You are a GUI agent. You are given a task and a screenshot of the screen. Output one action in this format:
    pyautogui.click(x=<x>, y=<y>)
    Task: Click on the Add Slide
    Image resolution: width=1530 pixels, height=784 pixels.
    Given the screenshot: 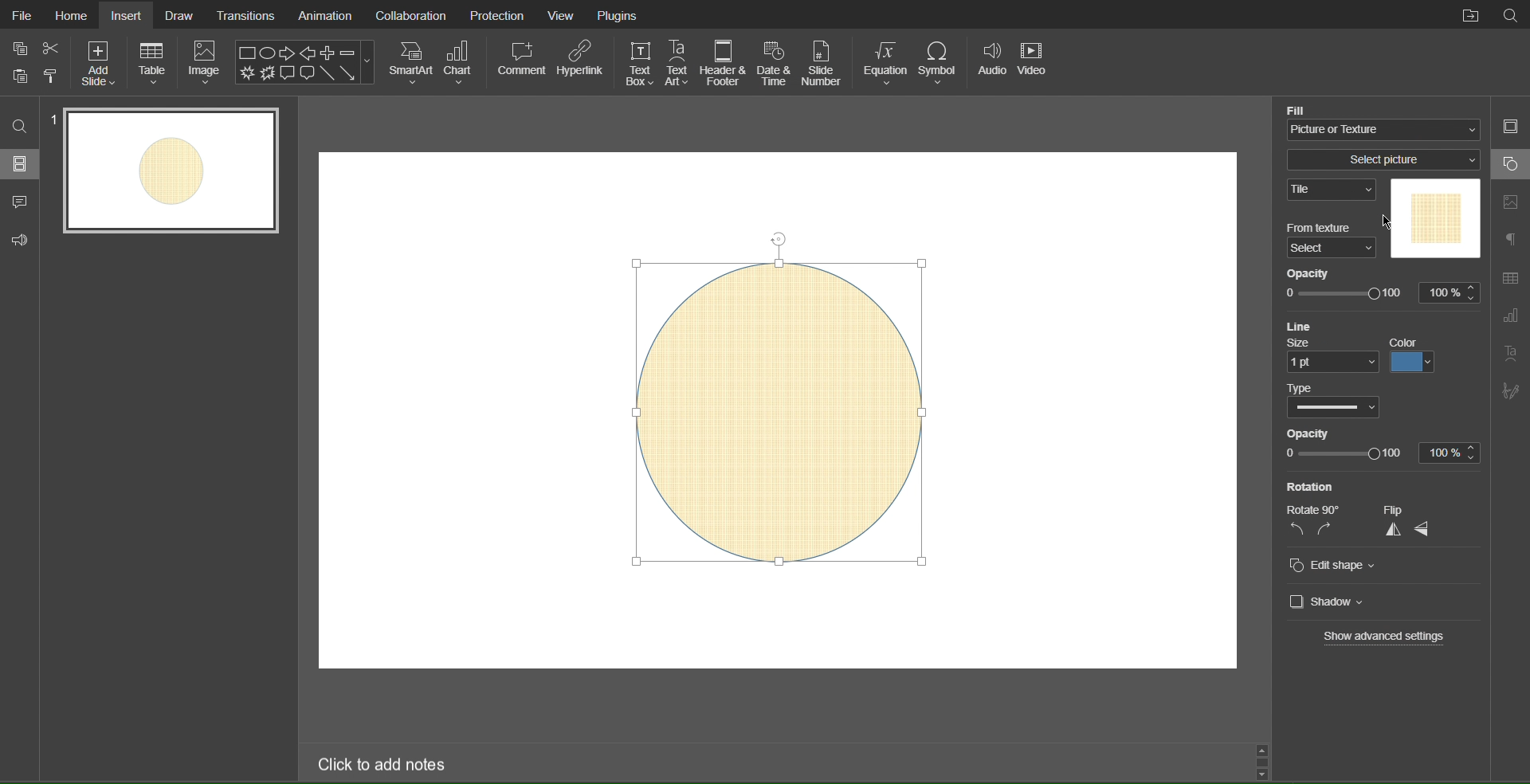 What is the action you would take?
    pyautogui.click(x=97, y=63)
    